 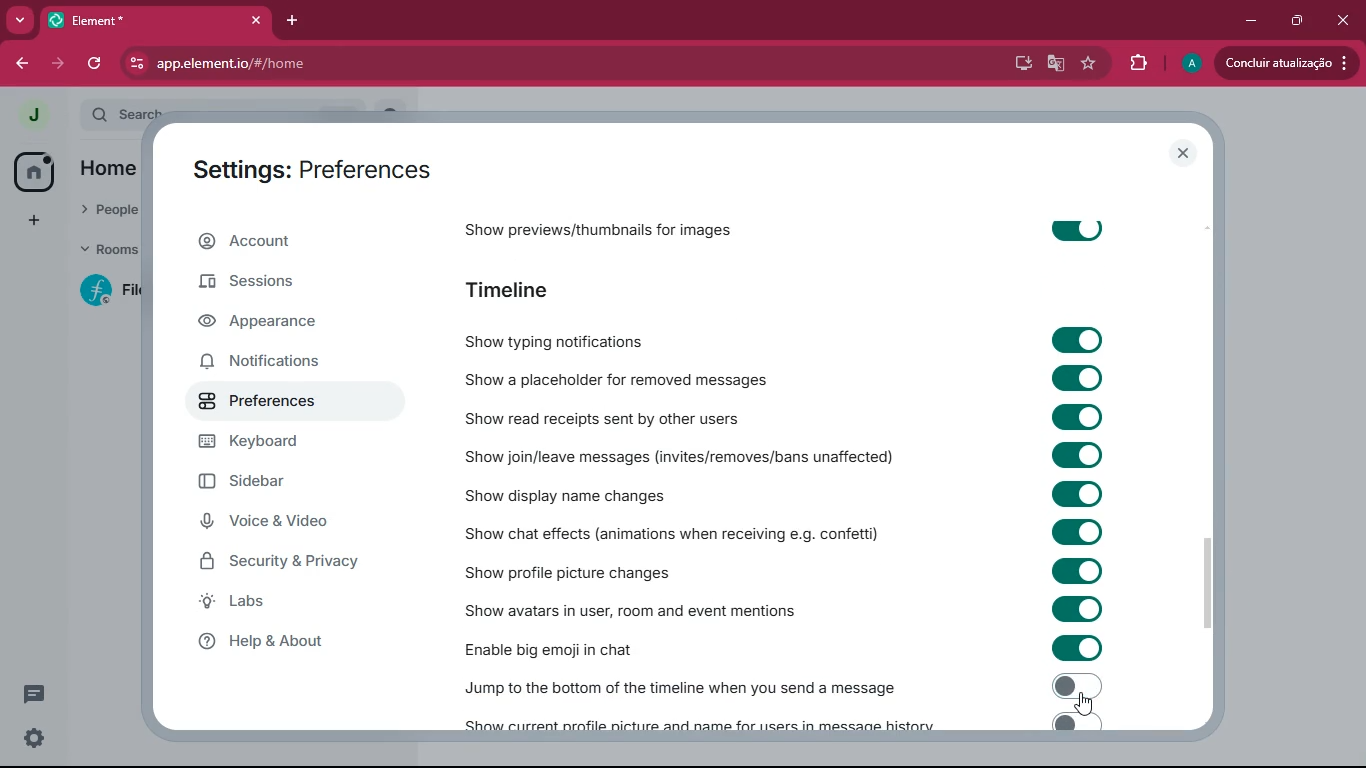 What do you see at coordinates (1081, 609) in the screenshot?
I see `toggle on ` at bounding box center [1081, 609].